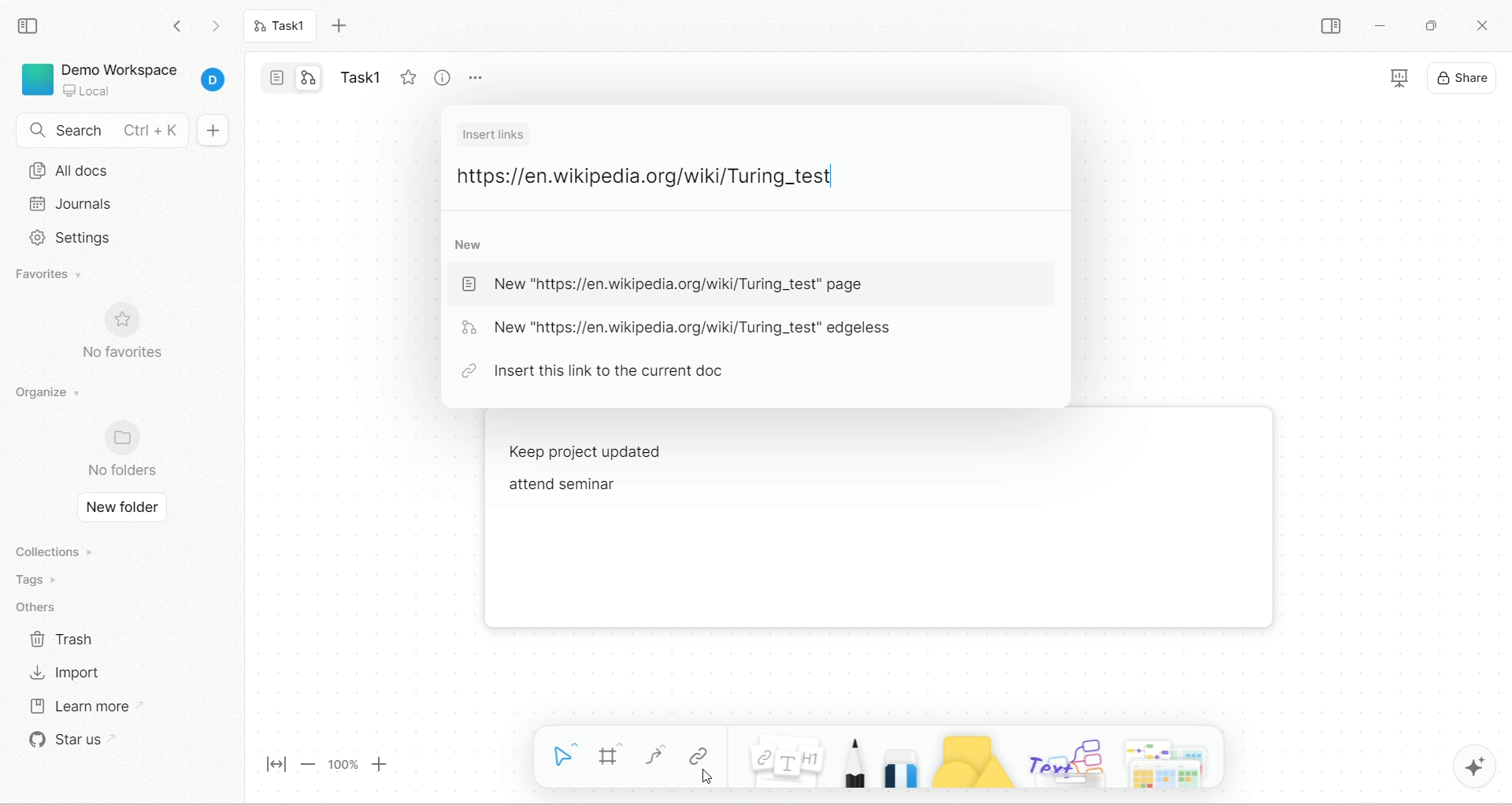 Image resolution: width=1512 pixels, height=805 pixels. Describe the element at coordinates (277, 76) in the screenshot. I see `page mode` at that location.